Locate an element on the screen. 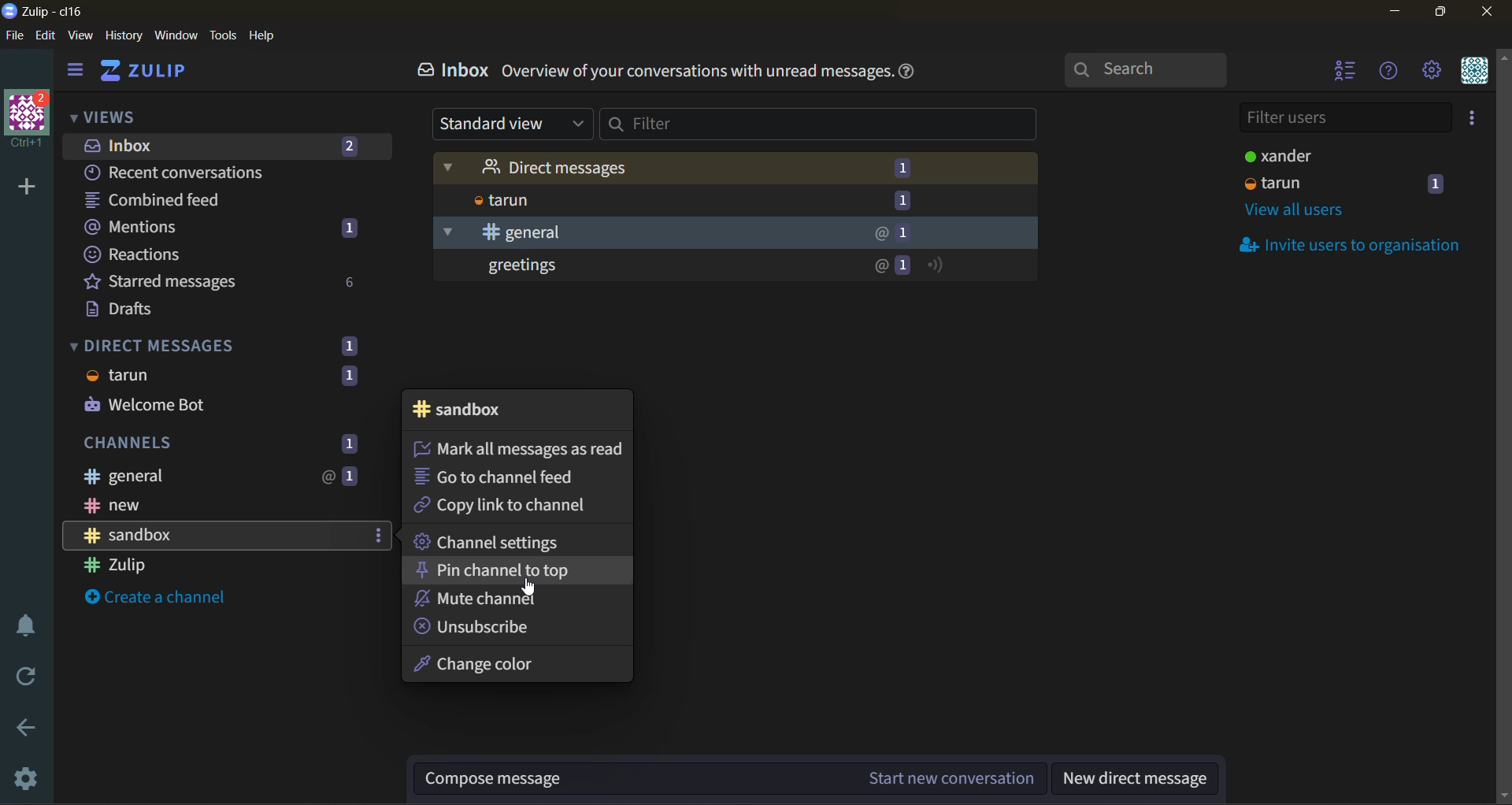  pin channel to top is located at coordinates (504, 570).